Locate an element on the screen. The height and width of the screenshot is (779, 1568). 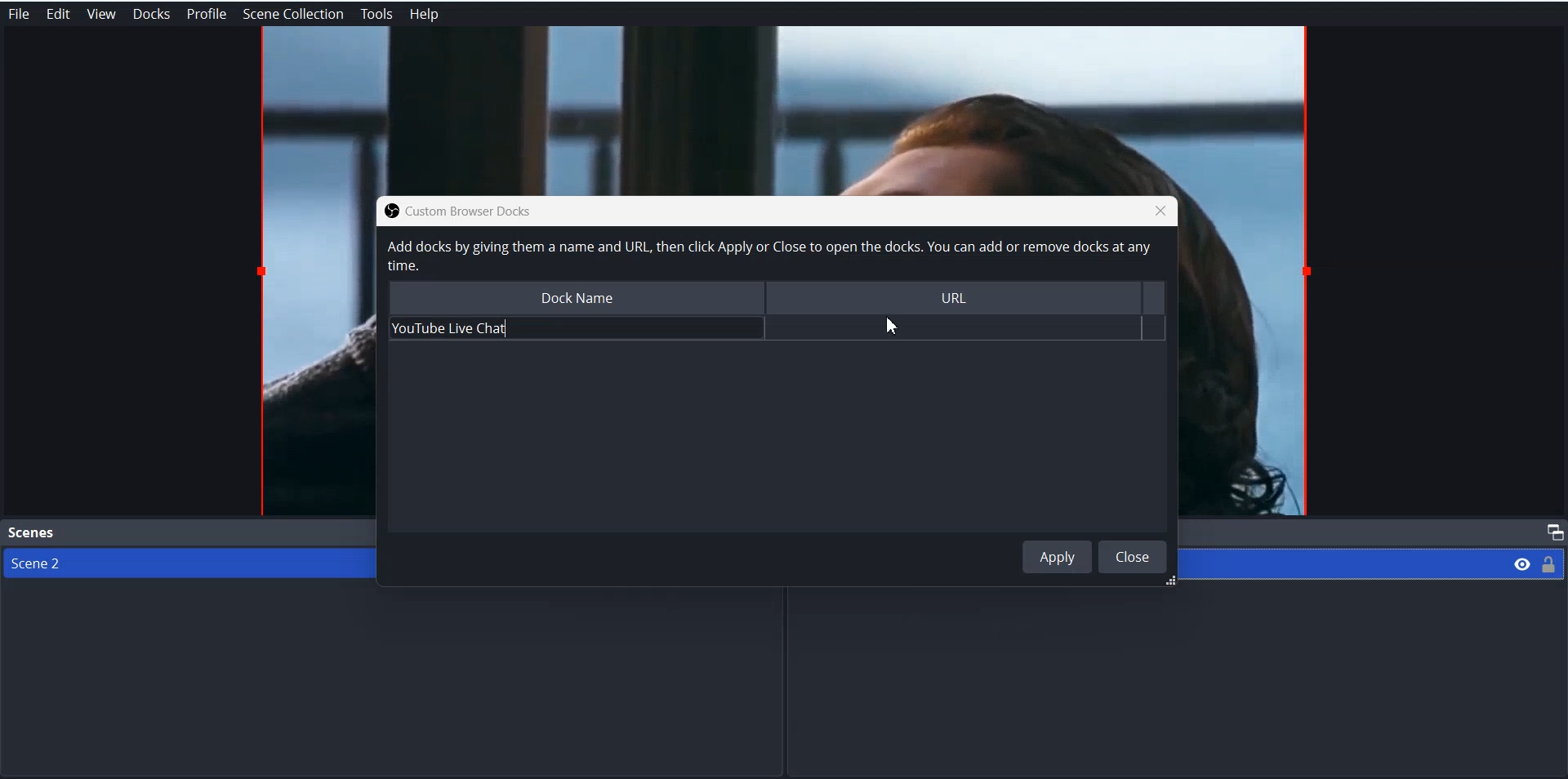
File Preview window is located at coordinates (314, 355).